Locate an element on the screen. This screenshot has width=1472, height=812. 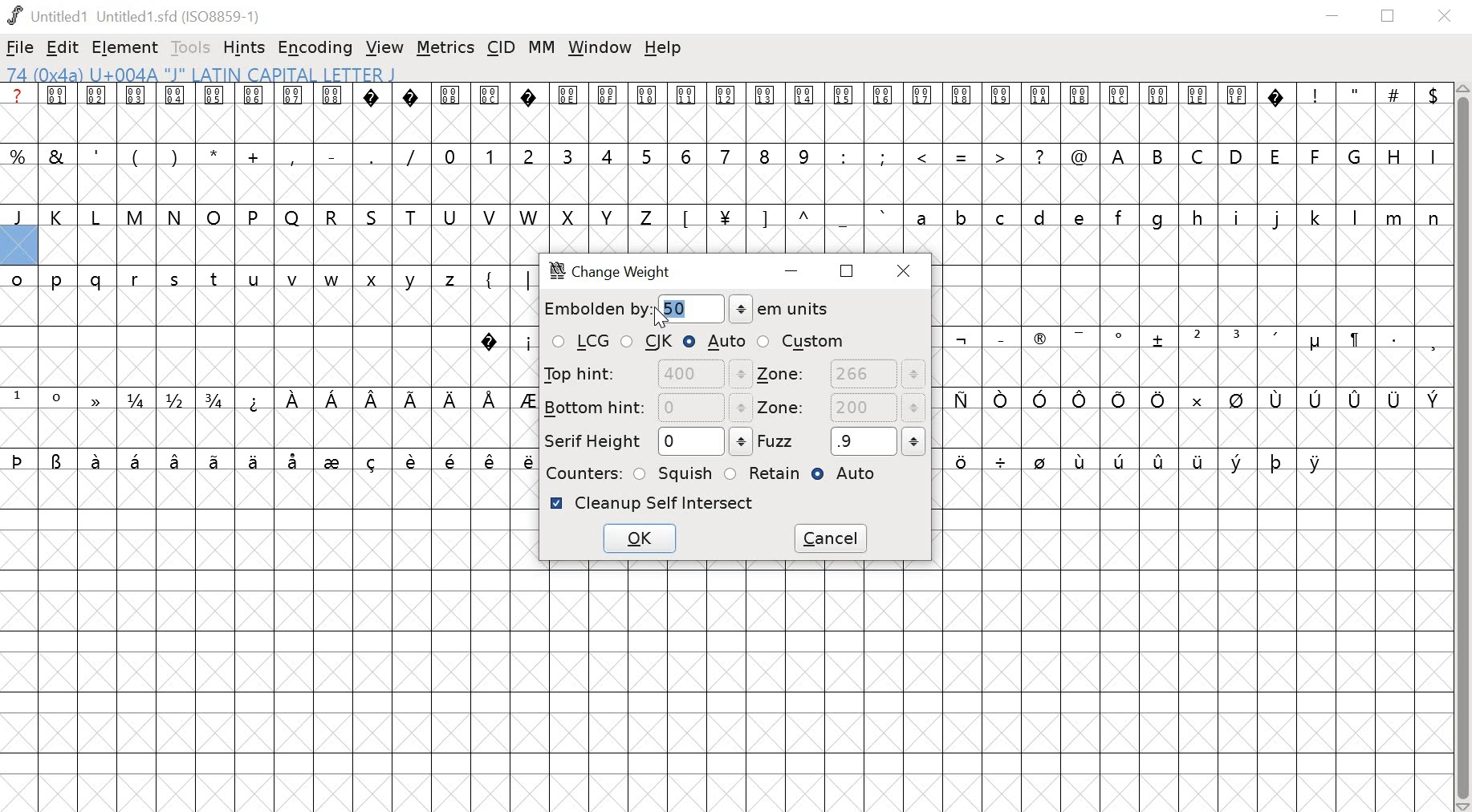
uppercase letters is located at coordinates (1275, 155).